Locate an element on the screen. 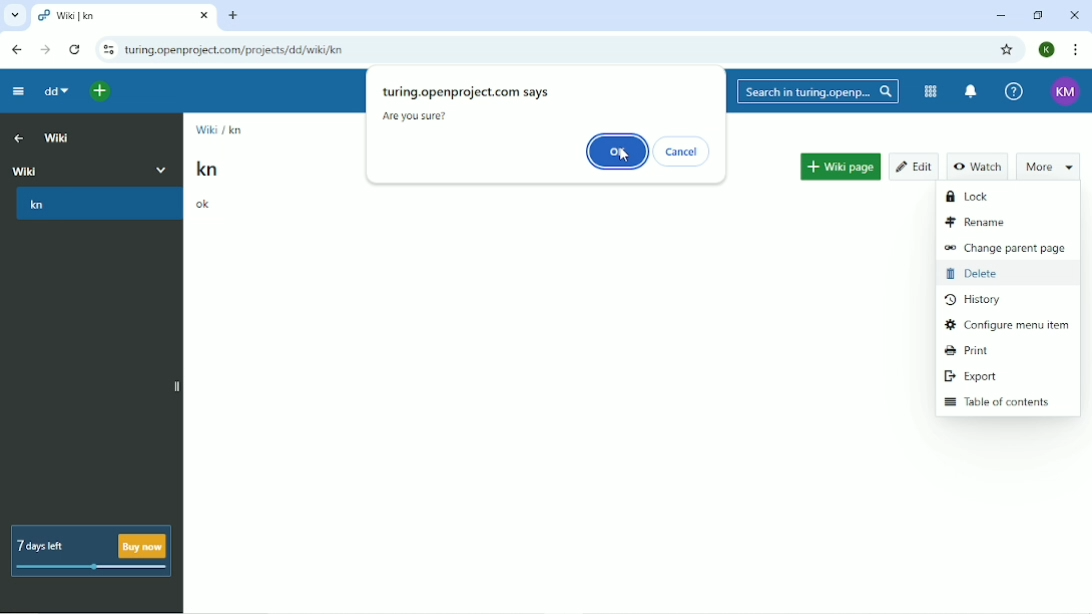 Image resolution: width=1092 pixels, height=614 pixels. cursor is located at coordinates (629, 162).